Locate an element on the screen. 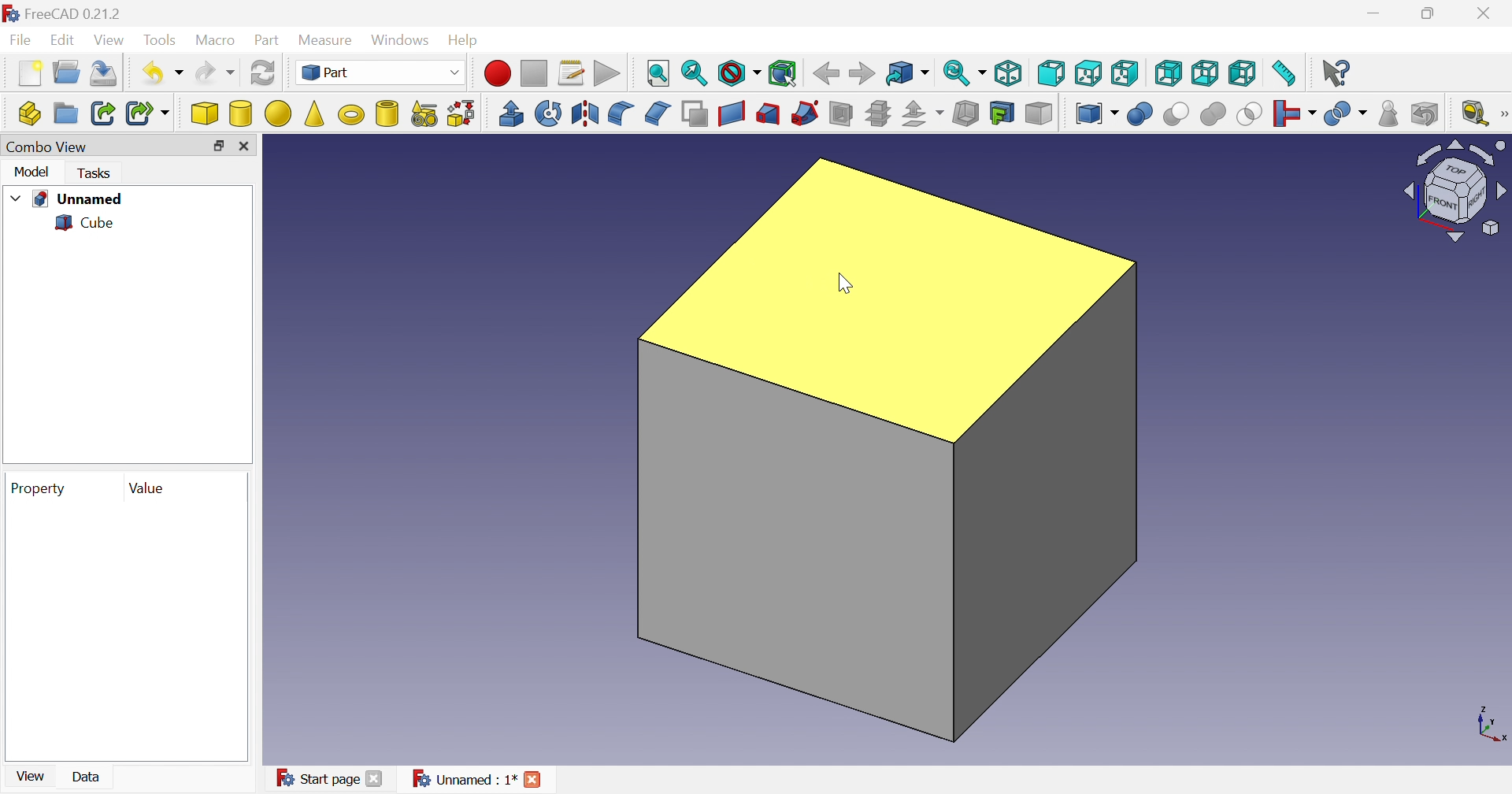 This screenshot has width=1512, height=794. Thickness is located at coordinates (966, 111).